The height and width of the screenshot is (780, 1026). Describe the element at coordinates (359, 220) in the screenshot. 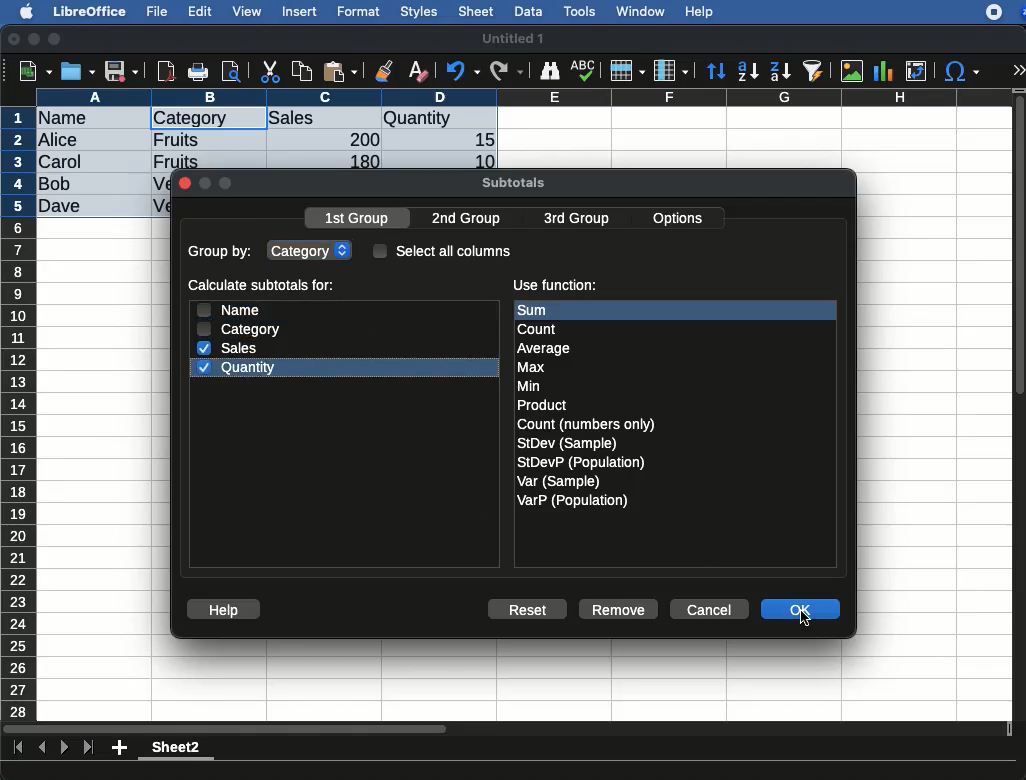

I see `1st group` at that location.